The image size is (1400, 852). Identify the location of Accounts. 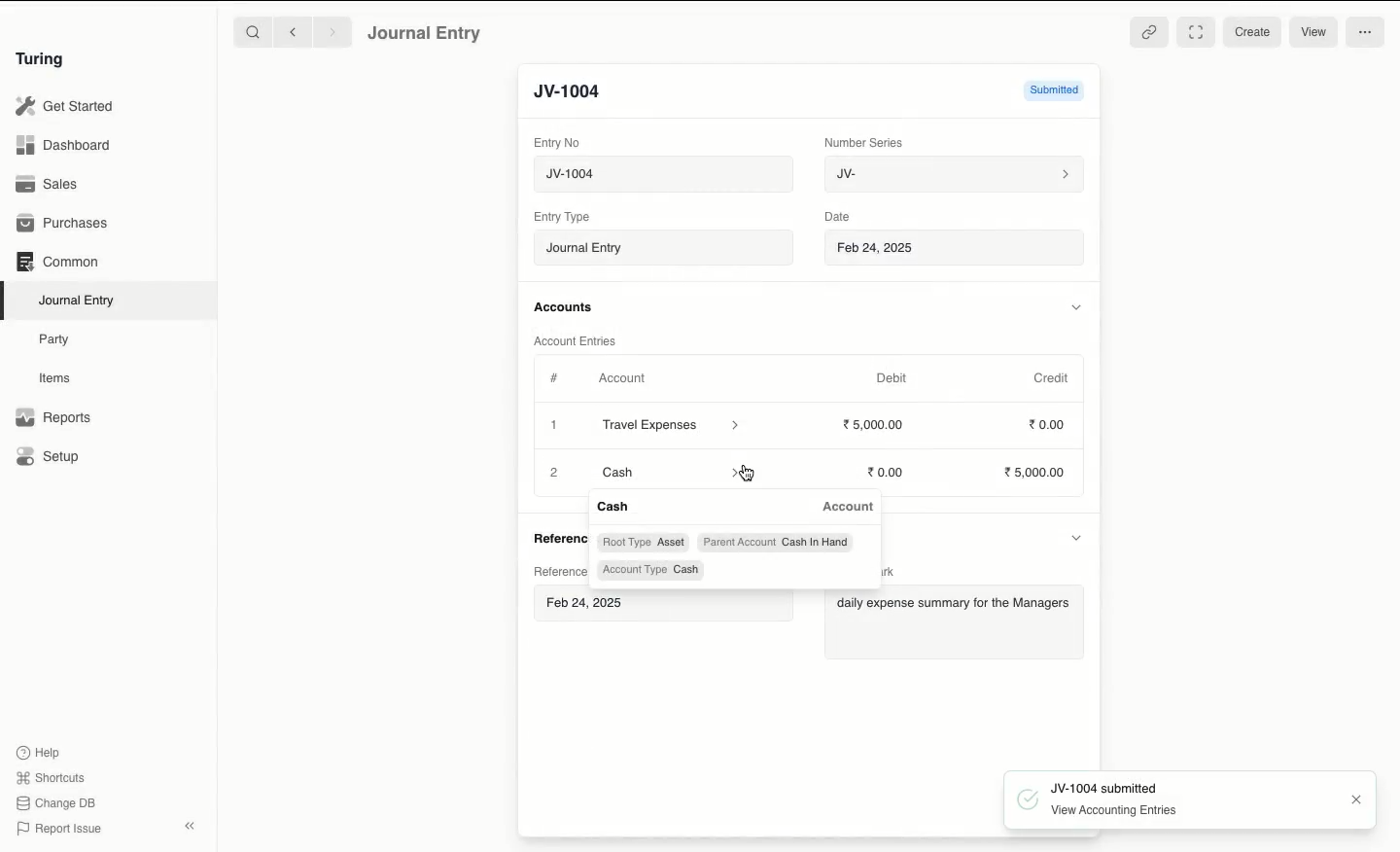
(565, 307).